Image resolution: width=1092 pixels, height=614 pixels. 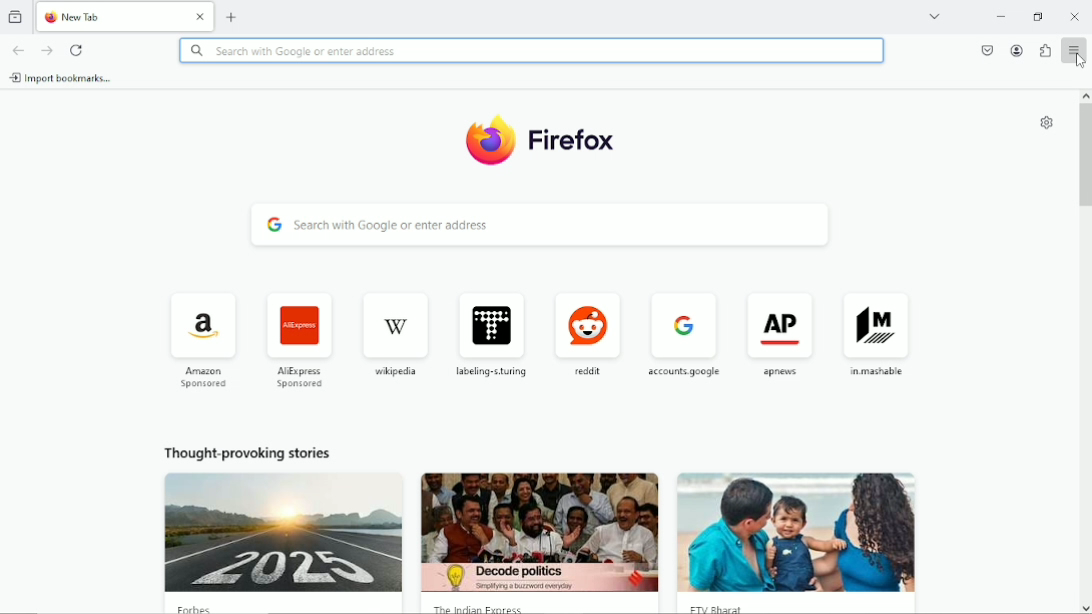 What do you see at coordinates (878, 333) in the screenshot?
I see `mashable` at bounding box center [878, 333].